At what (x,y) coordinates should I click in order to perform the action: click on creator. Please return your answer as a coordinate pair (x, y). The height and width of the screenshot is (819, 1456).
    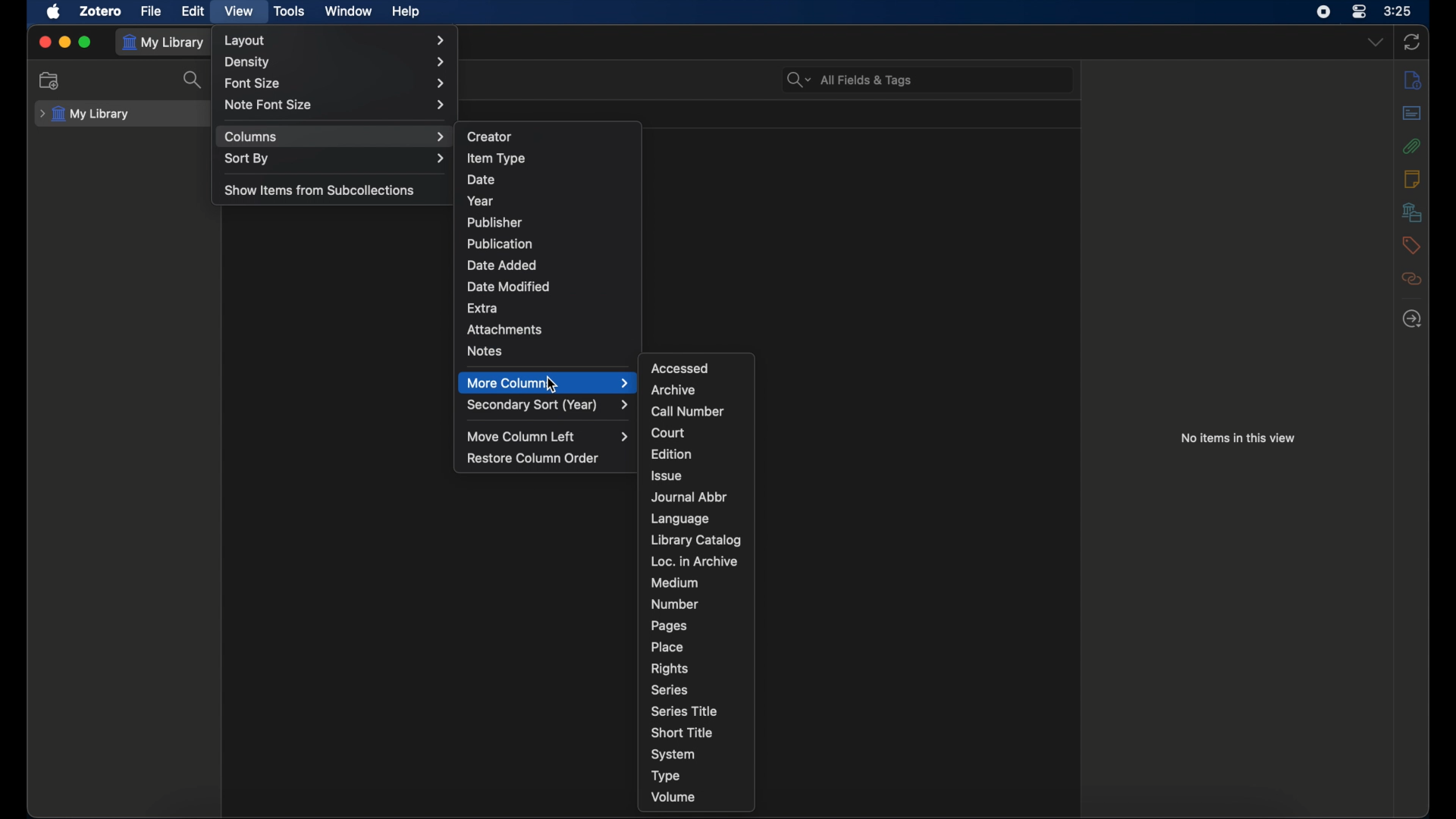
    Looking at the image, I should click on (490, 136).